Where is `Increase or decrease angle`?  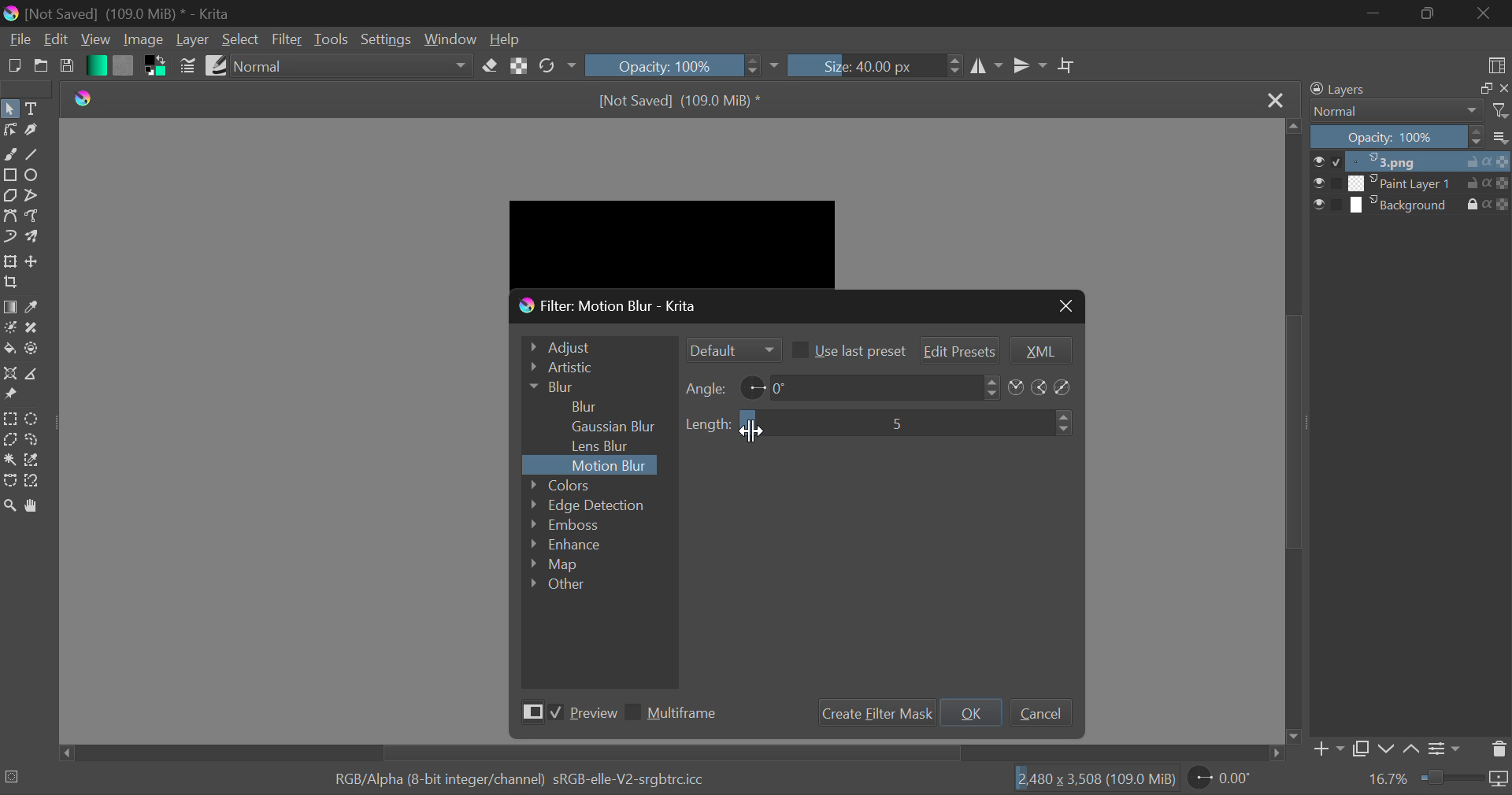
Increase or decrease angle is located at coordinates (992, 386).